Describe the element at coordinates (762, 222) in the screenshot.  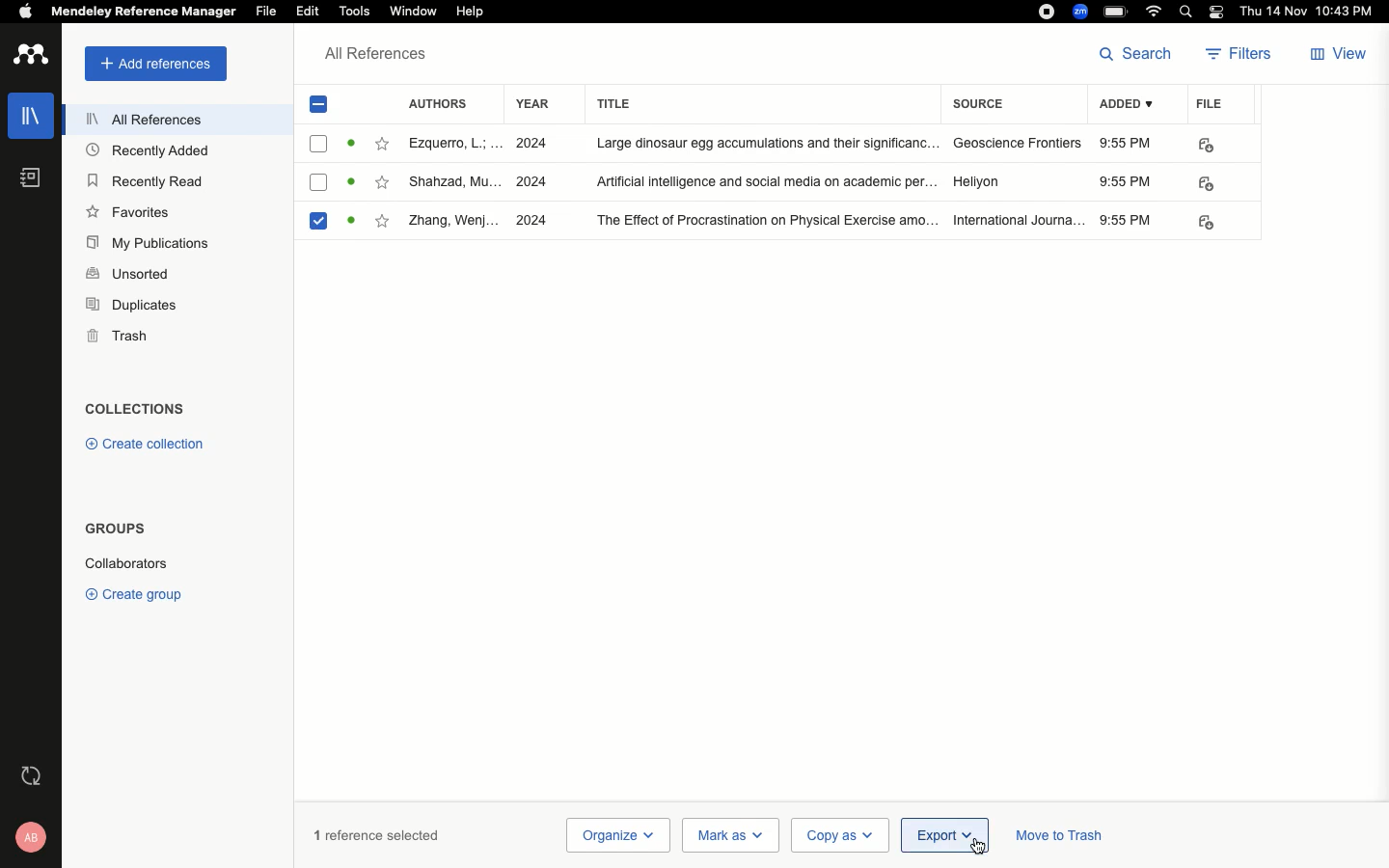
I see `the effect of procrastination on physical exercise` at that location.